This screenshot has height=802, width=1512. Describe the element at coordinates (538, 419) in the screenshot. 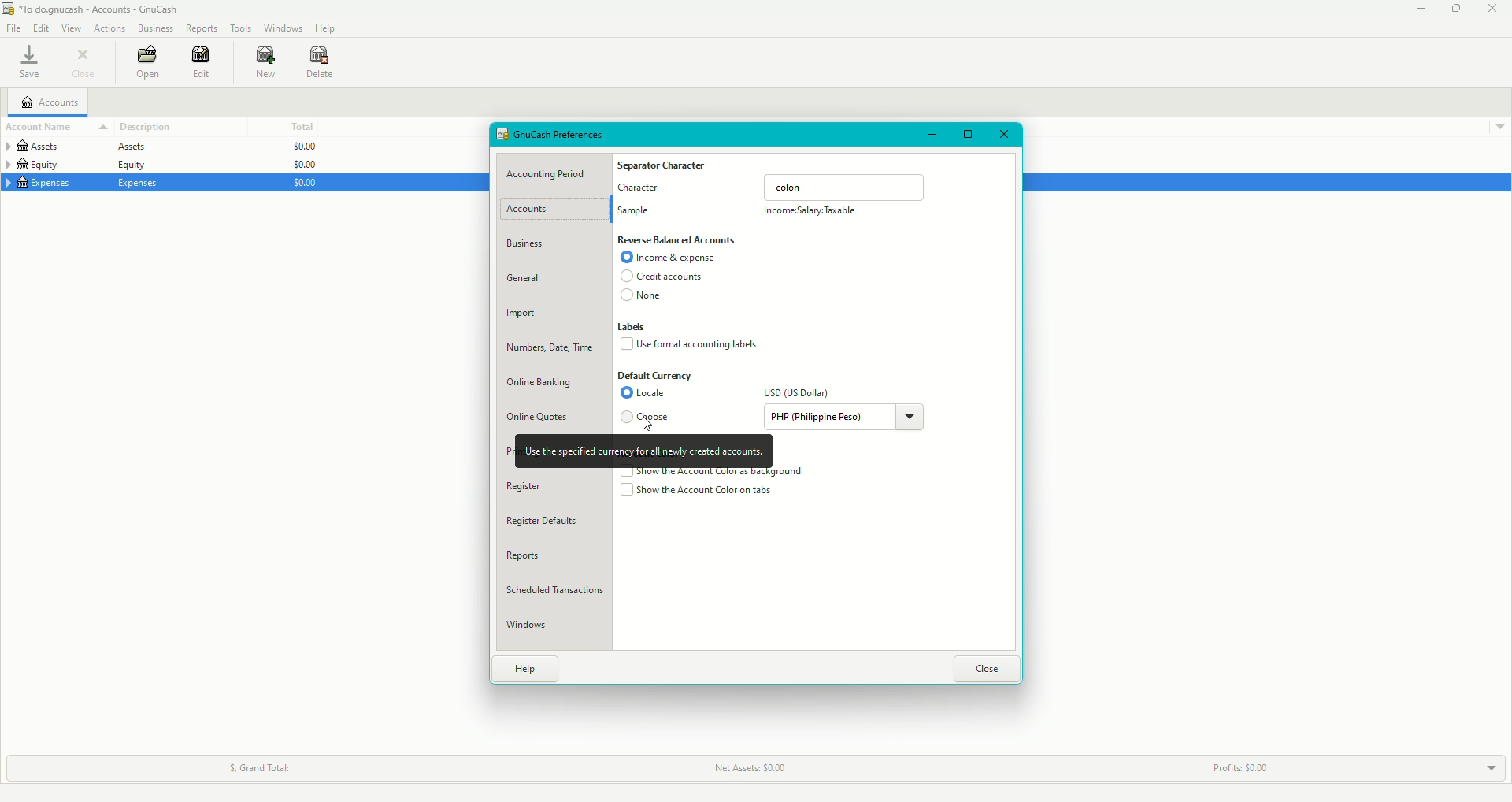

I see `Online Quotes` at that location.